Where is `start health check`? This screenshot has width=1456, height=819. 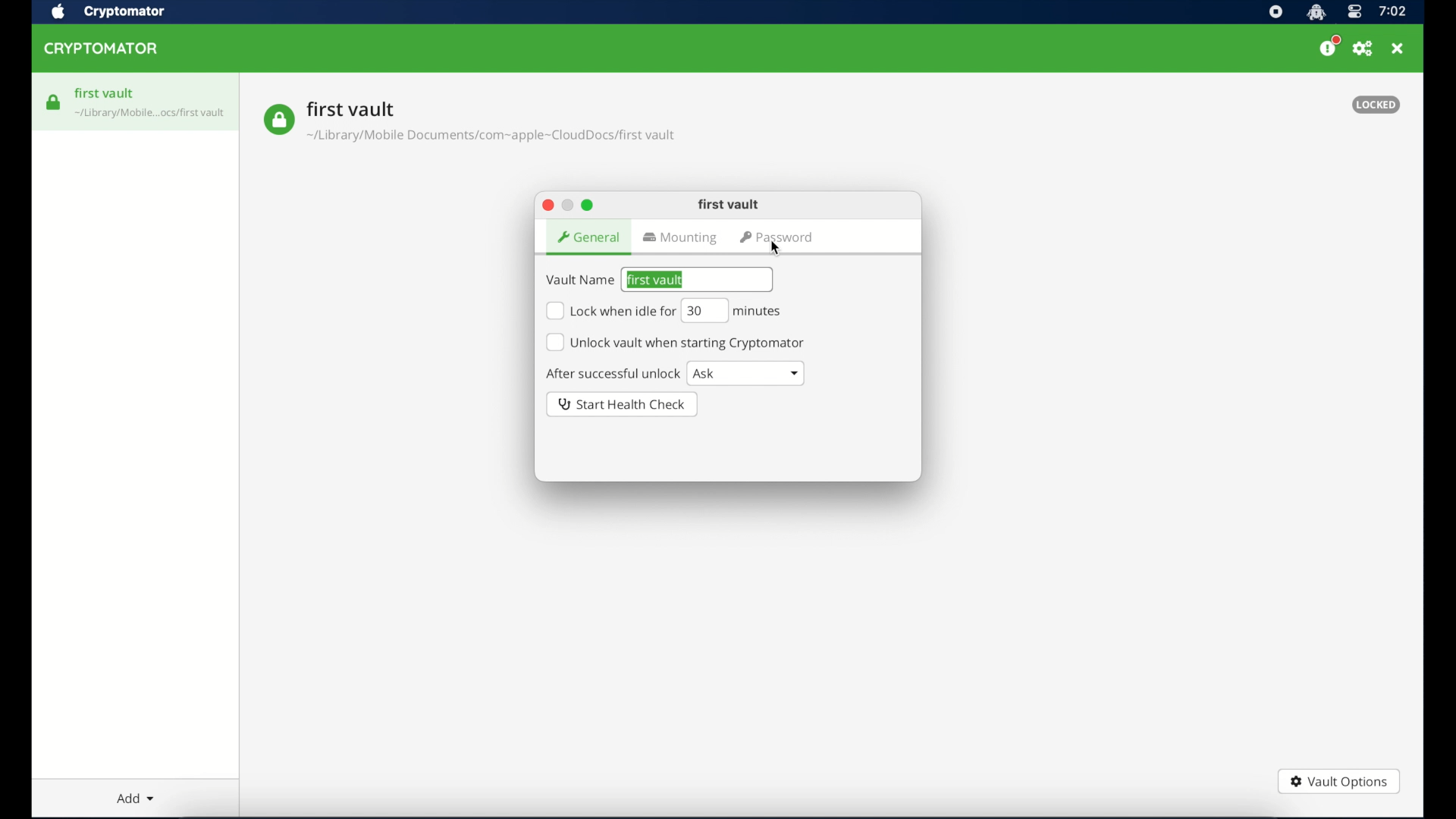
start health check is located at coordinates (623, 404).